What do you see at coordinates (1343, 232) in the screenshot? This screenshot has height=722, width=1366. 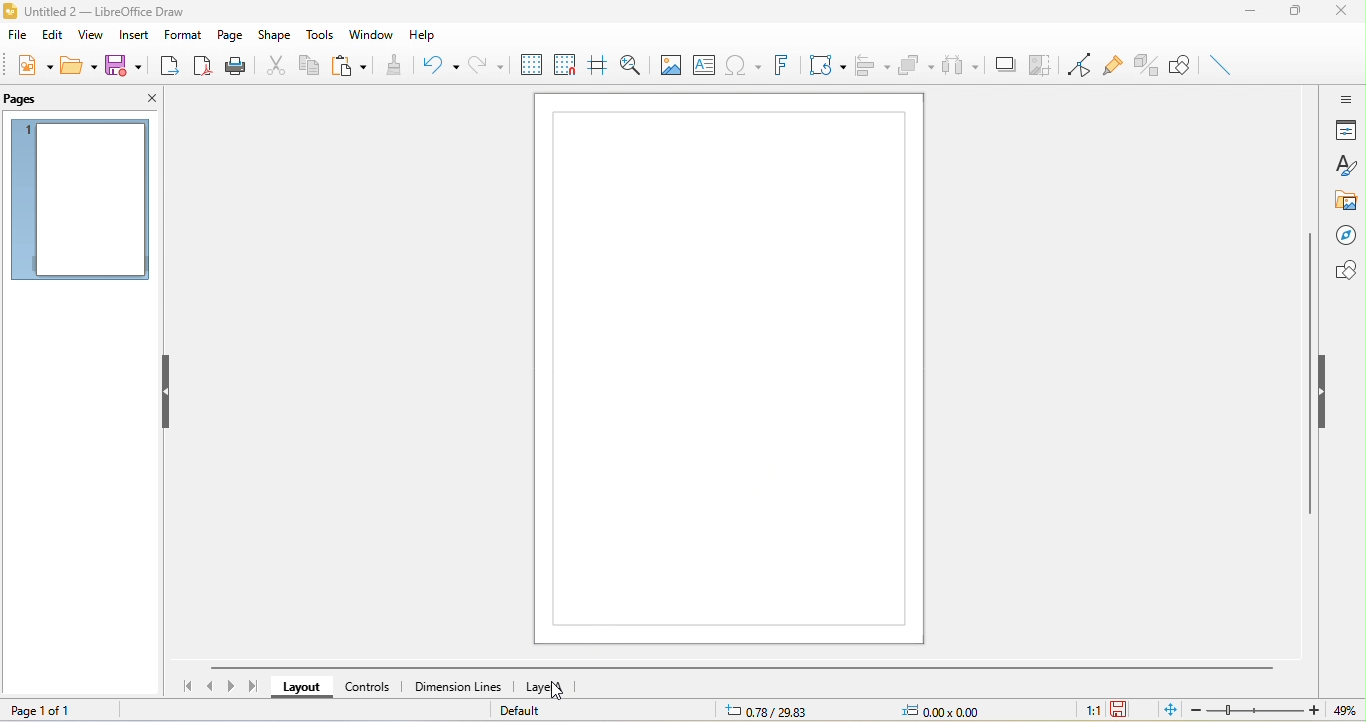 I see `navigator` at bounding box center [1343, 232].